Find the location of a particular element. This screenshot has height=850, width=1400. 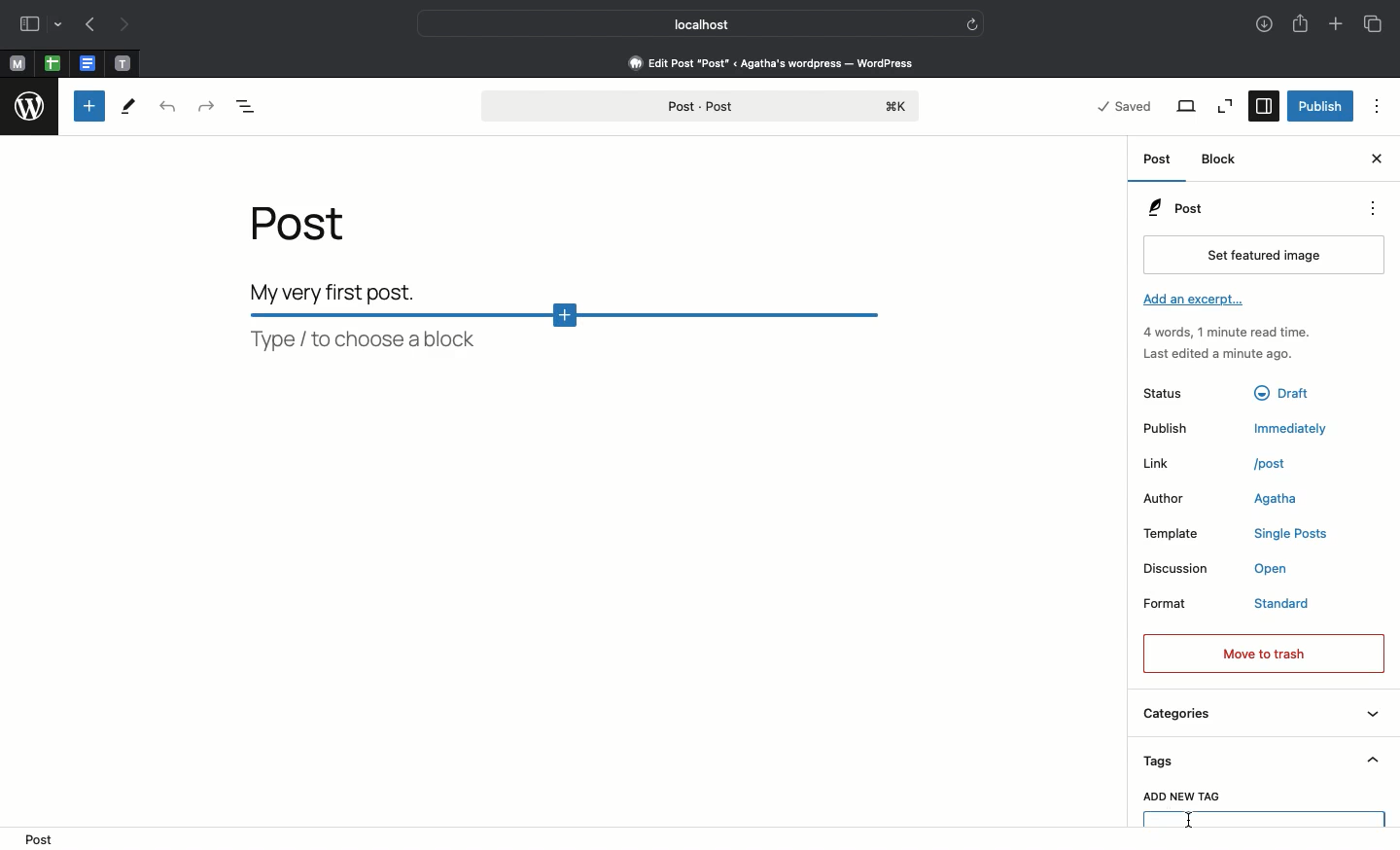

Redo is located at coordinates (204, 104).